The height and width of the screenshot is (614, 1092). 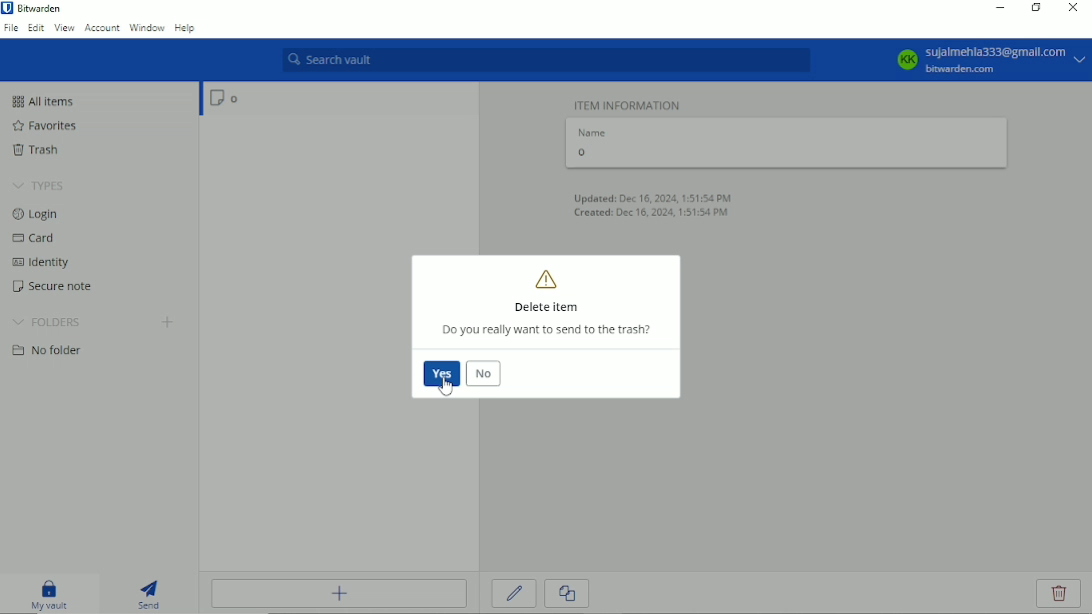 What do you see at coordinates (482, 374) in the screenshot?
I see `No` at bounding box center [482, 374].